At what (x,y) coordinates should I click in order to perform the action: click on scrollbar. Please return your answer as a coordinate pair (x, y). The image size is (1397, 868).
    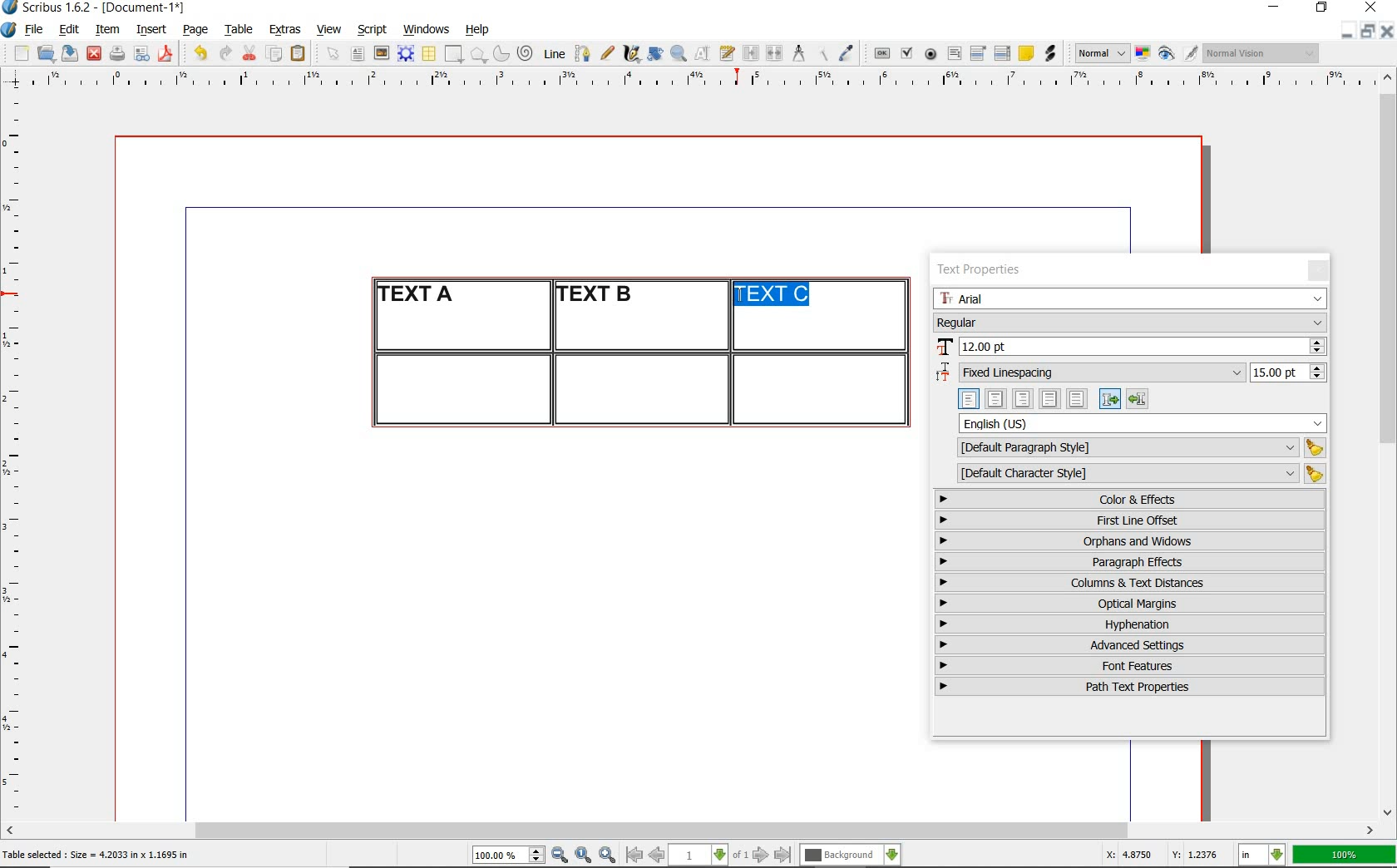
    Looking at the image, I should click on (690, 832).